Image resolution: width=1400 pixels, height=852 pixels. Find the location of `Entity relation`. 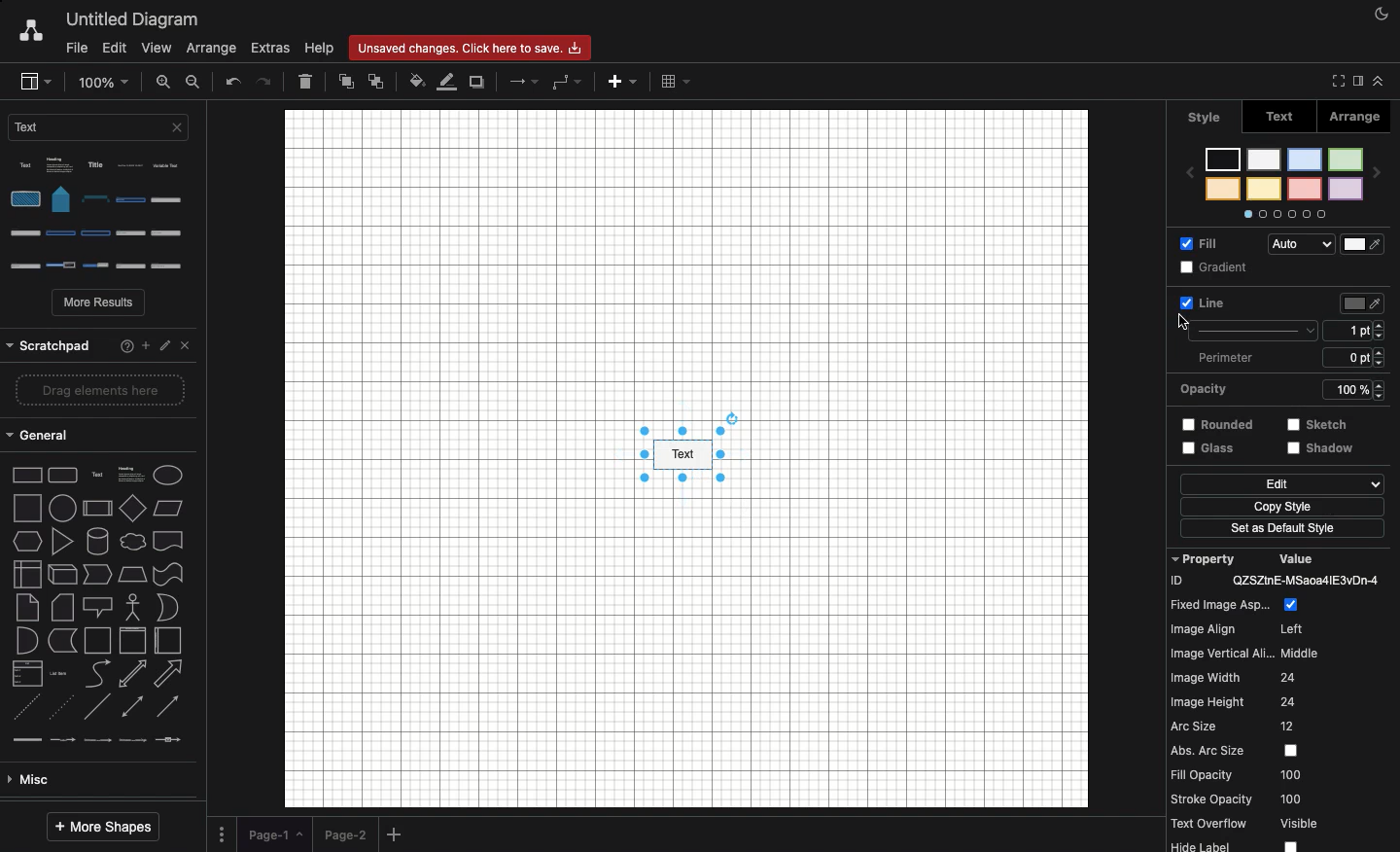

Entity relation is located at coordinates (63, 780).